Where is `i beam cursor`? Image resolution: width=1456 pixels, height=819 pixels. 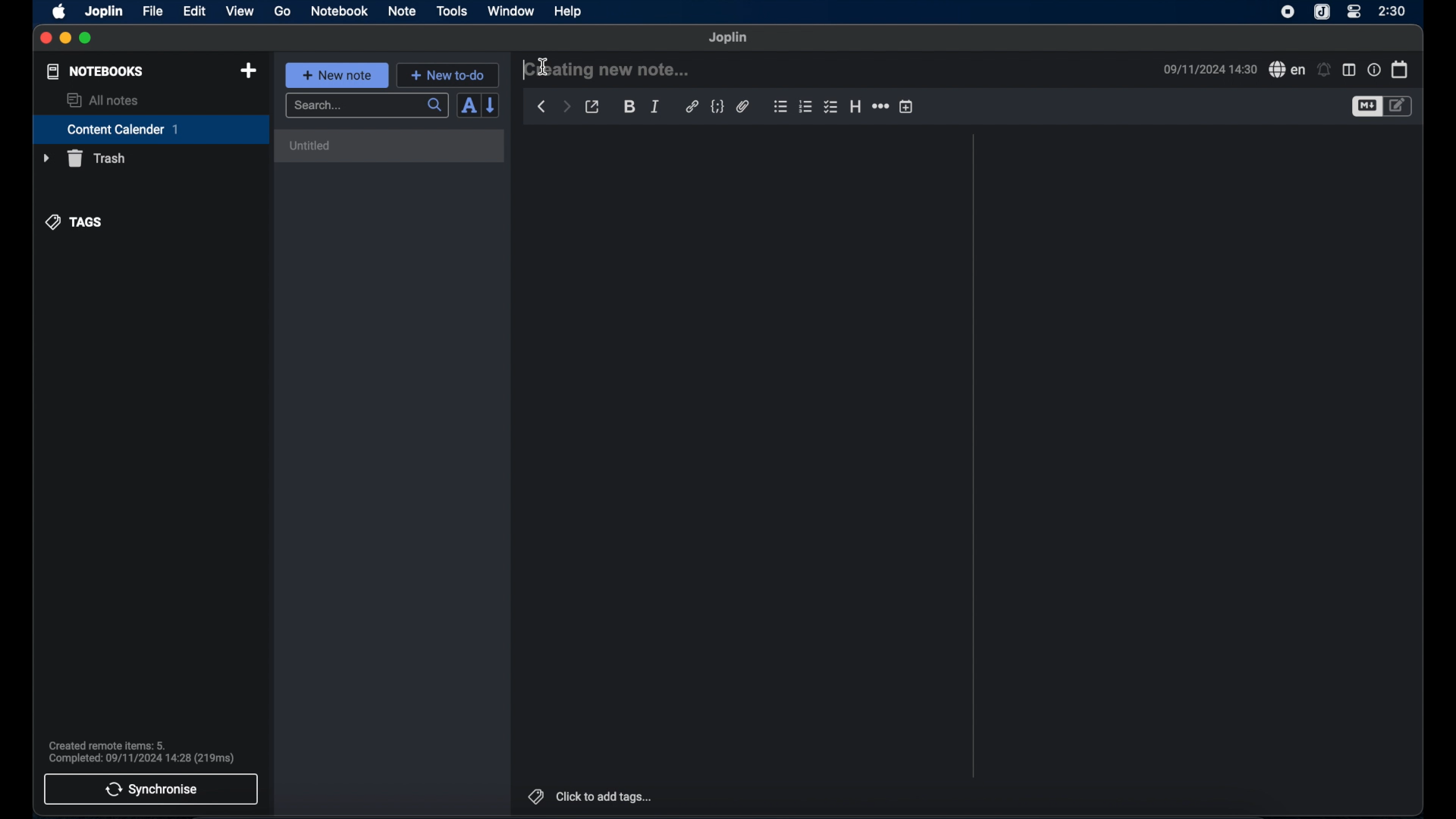 i beam cursor is located at coordinates (544, 68).